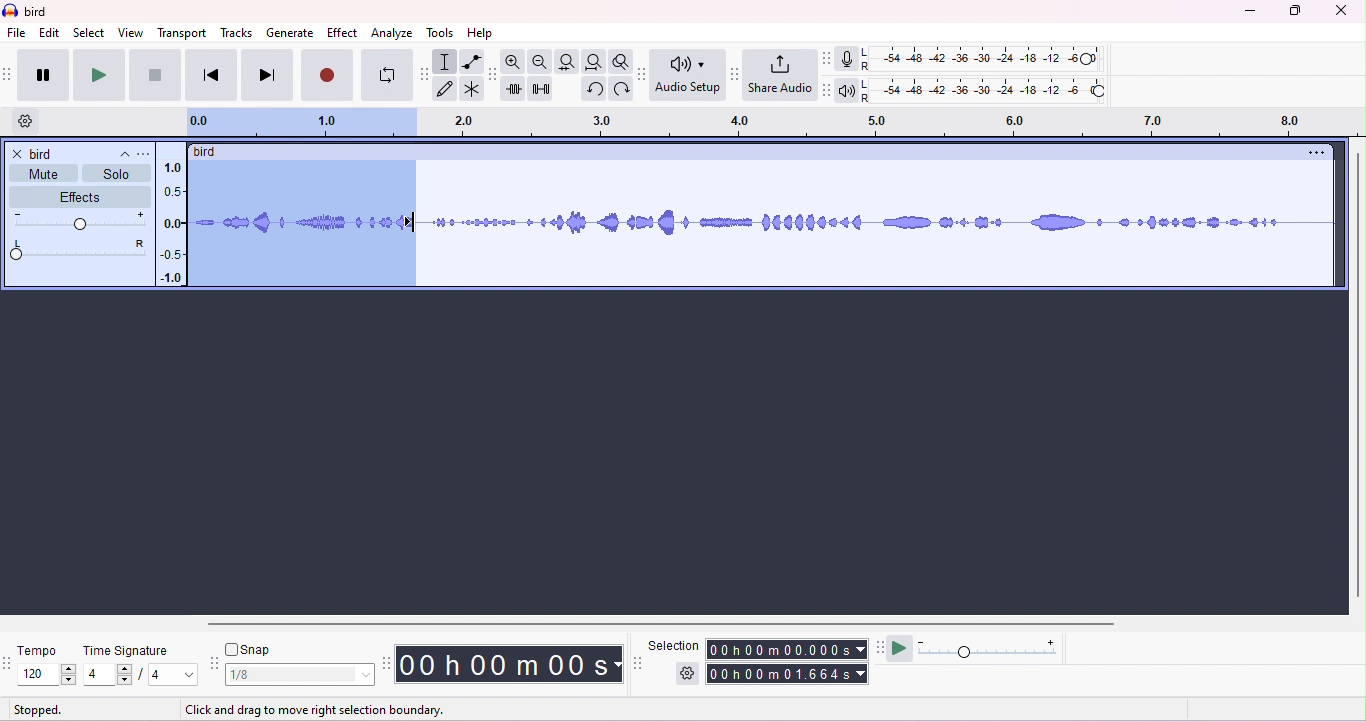  What do you see at coordinates (878, 646) in the screenshot?
I see `play at speed tool bar` at bounding box center [878, 646].